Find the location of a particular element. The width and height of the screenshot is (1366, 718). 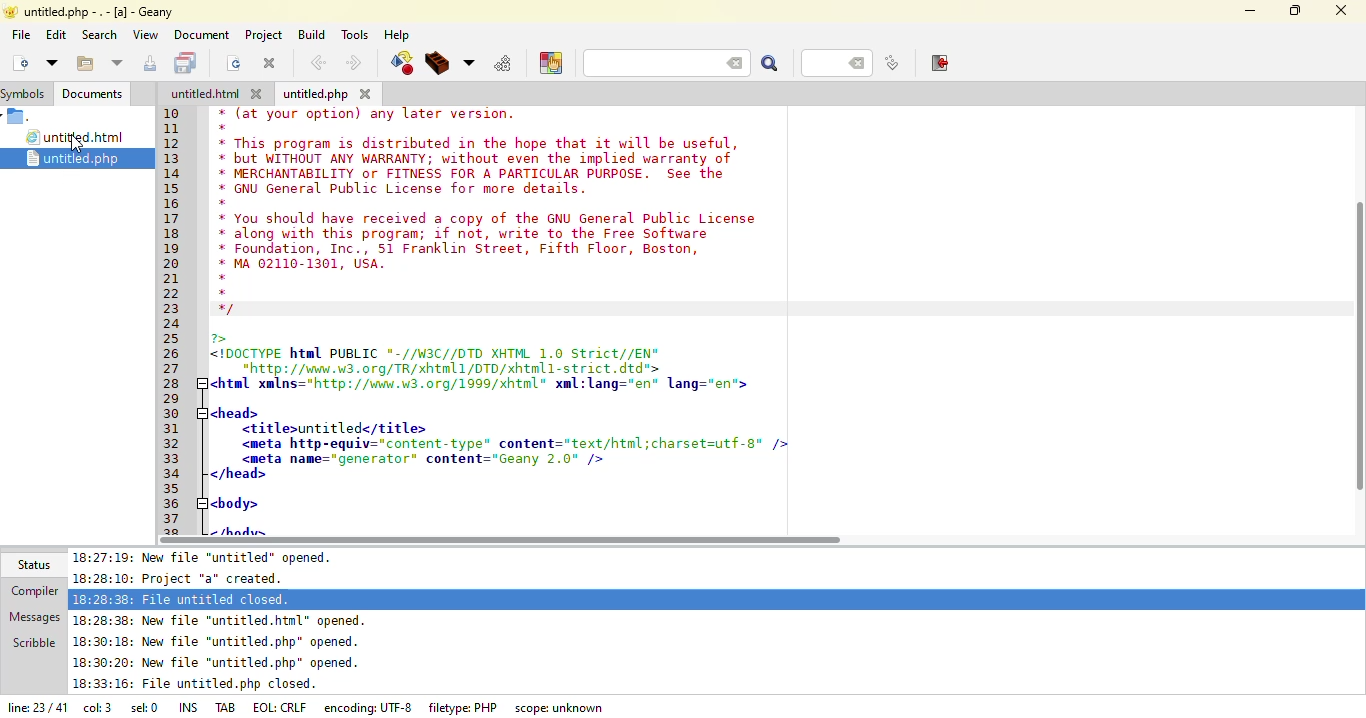

utf is located at coordinates (366, 704).